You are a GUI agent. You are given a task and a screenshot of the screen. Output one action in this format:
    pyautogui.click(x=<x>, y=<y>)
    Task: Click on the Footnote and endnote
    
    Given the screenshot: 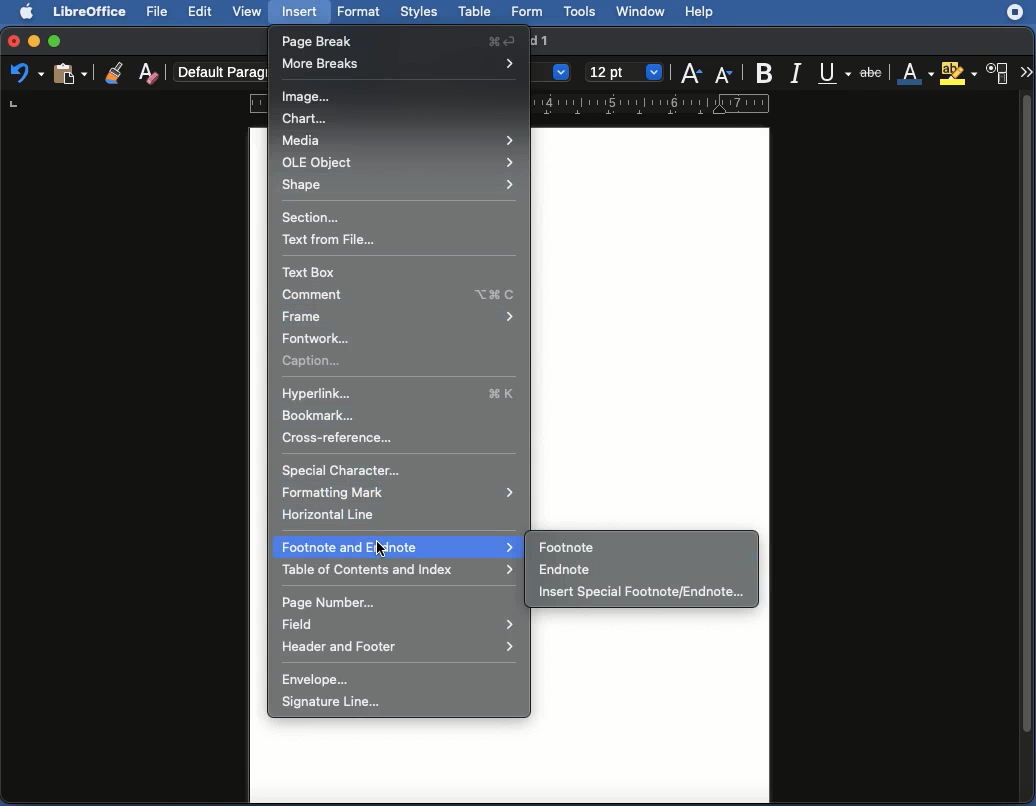 What is the action you would take?
    pyautogui.click(x=398, y=547)
    